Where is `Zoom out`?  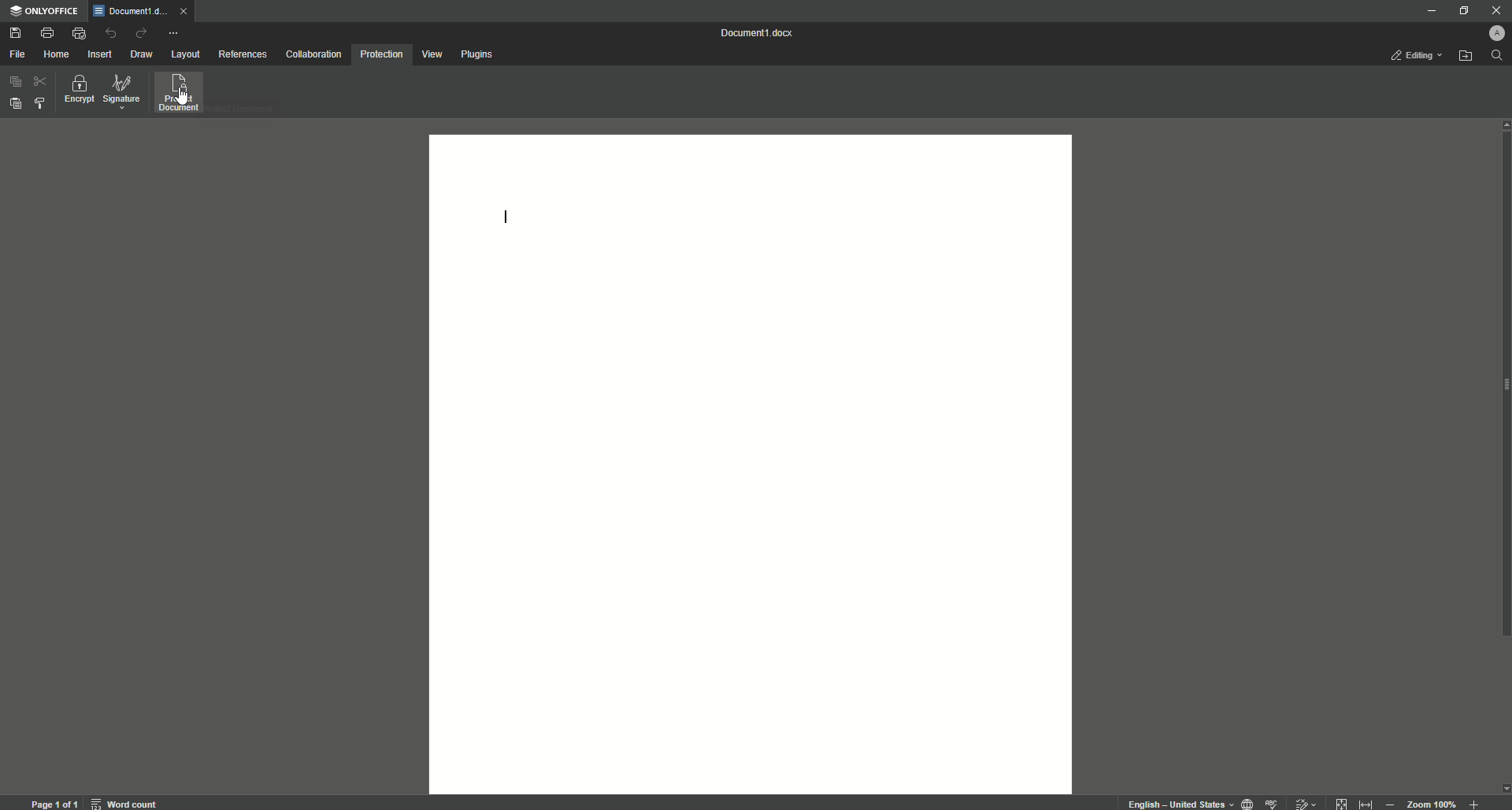
Zoom out is located at coordinates (1389, 801).